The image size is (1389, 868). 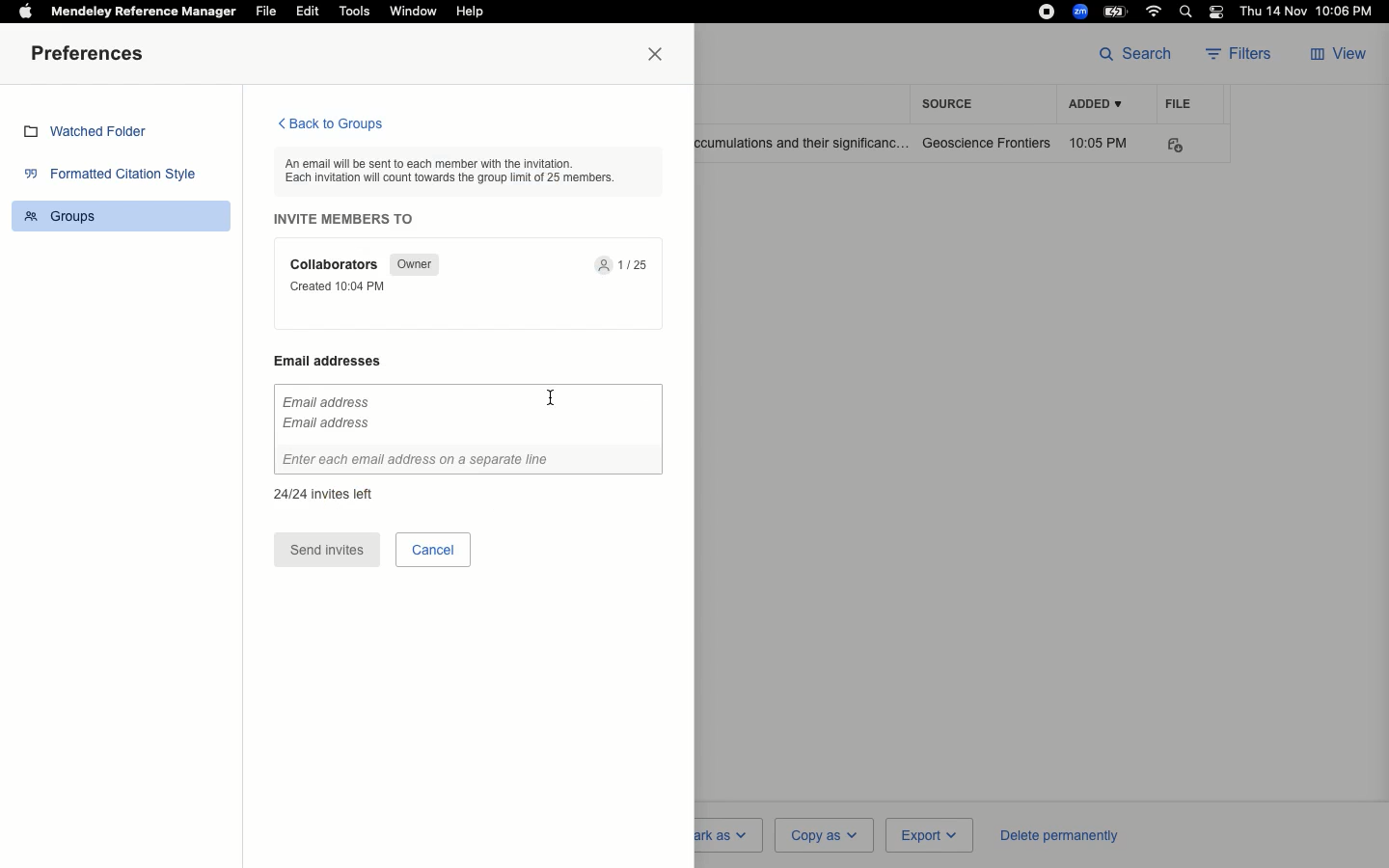 I want to click on View , so click(x=1341, y=55).